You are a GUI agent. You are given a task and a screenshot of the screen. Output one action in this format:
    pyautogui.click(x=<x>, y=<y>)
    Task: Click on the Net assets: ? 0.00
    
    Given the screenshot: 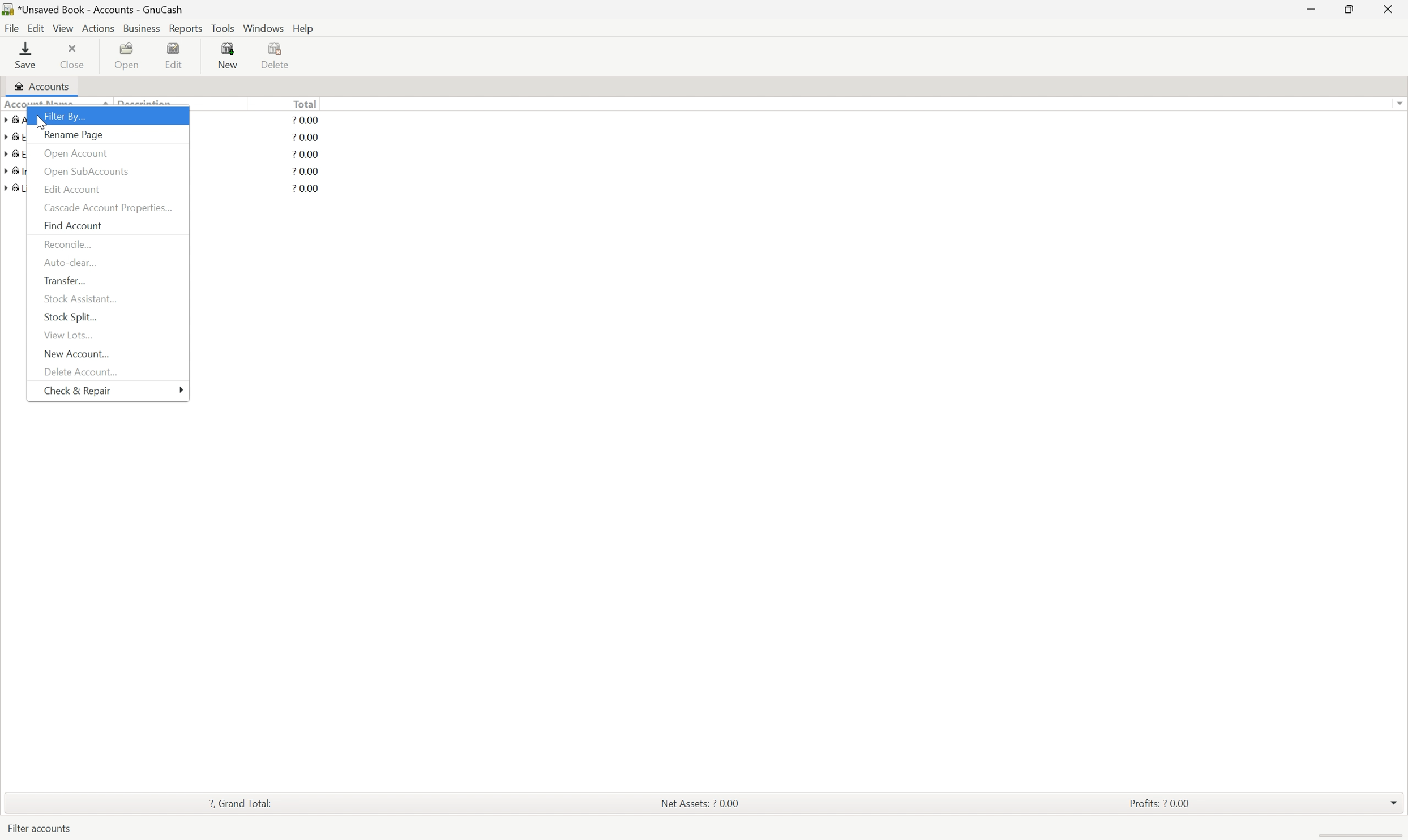 What is the action you would take?
    pyautogui.click(x=700, y=804)
    